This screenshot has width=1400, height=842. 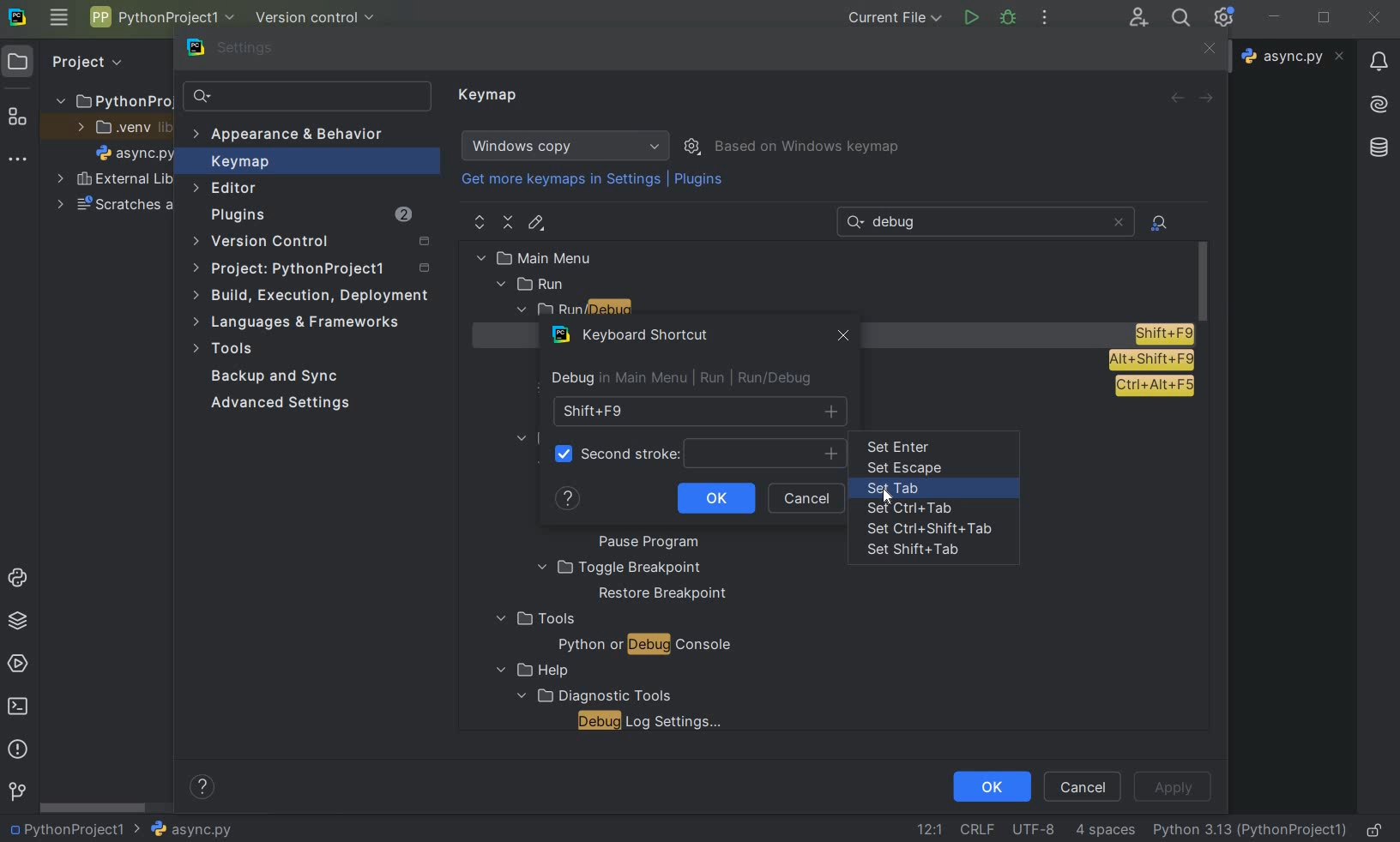 What do you see at coordinates (226, 351) in the screenshot?
I see `tools` at bounding box center [226, 351].